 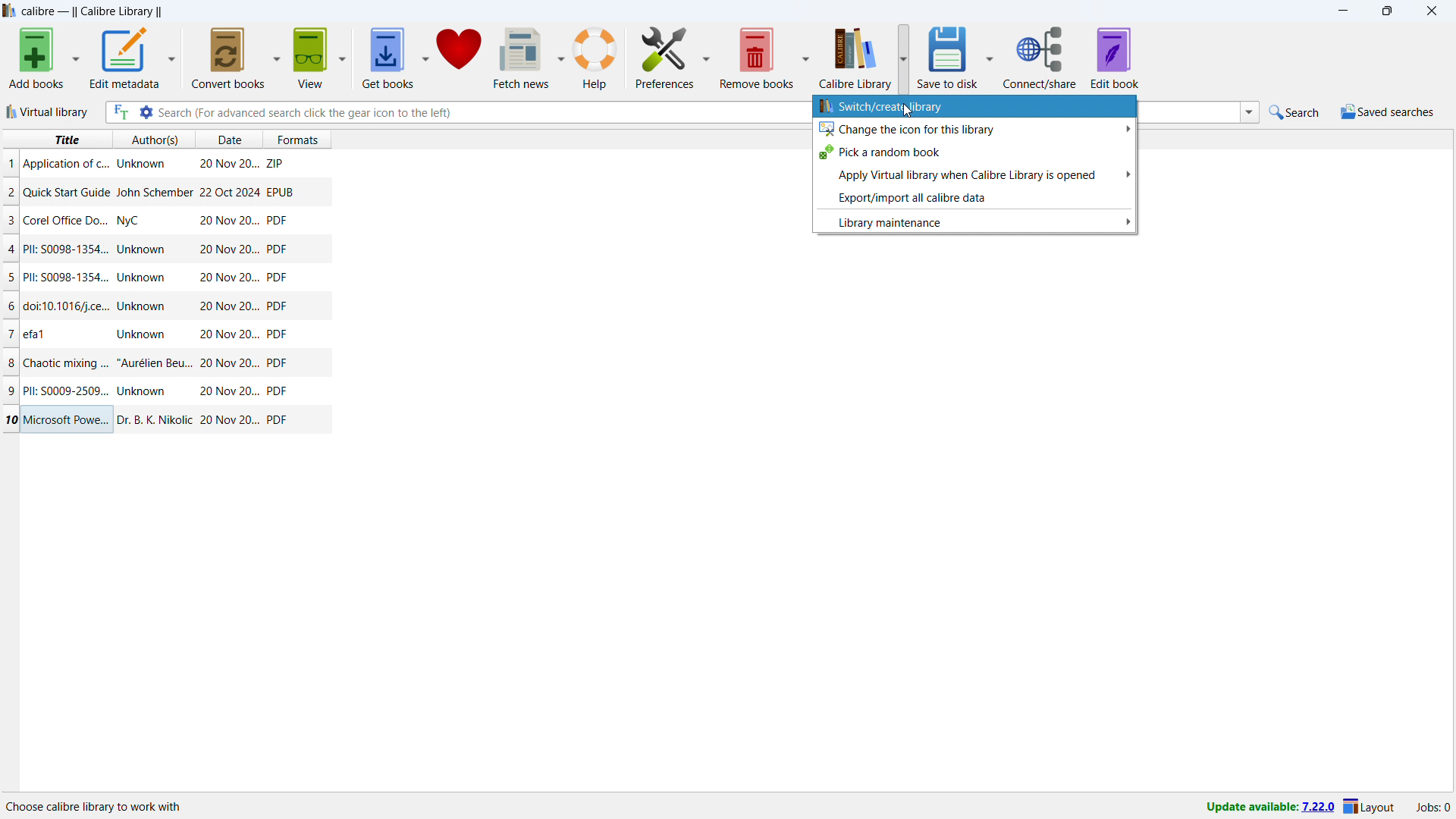 What do you see at coordinates (37, 58) in the screenshot?
I see `add books` at bounding box center [37, 58].